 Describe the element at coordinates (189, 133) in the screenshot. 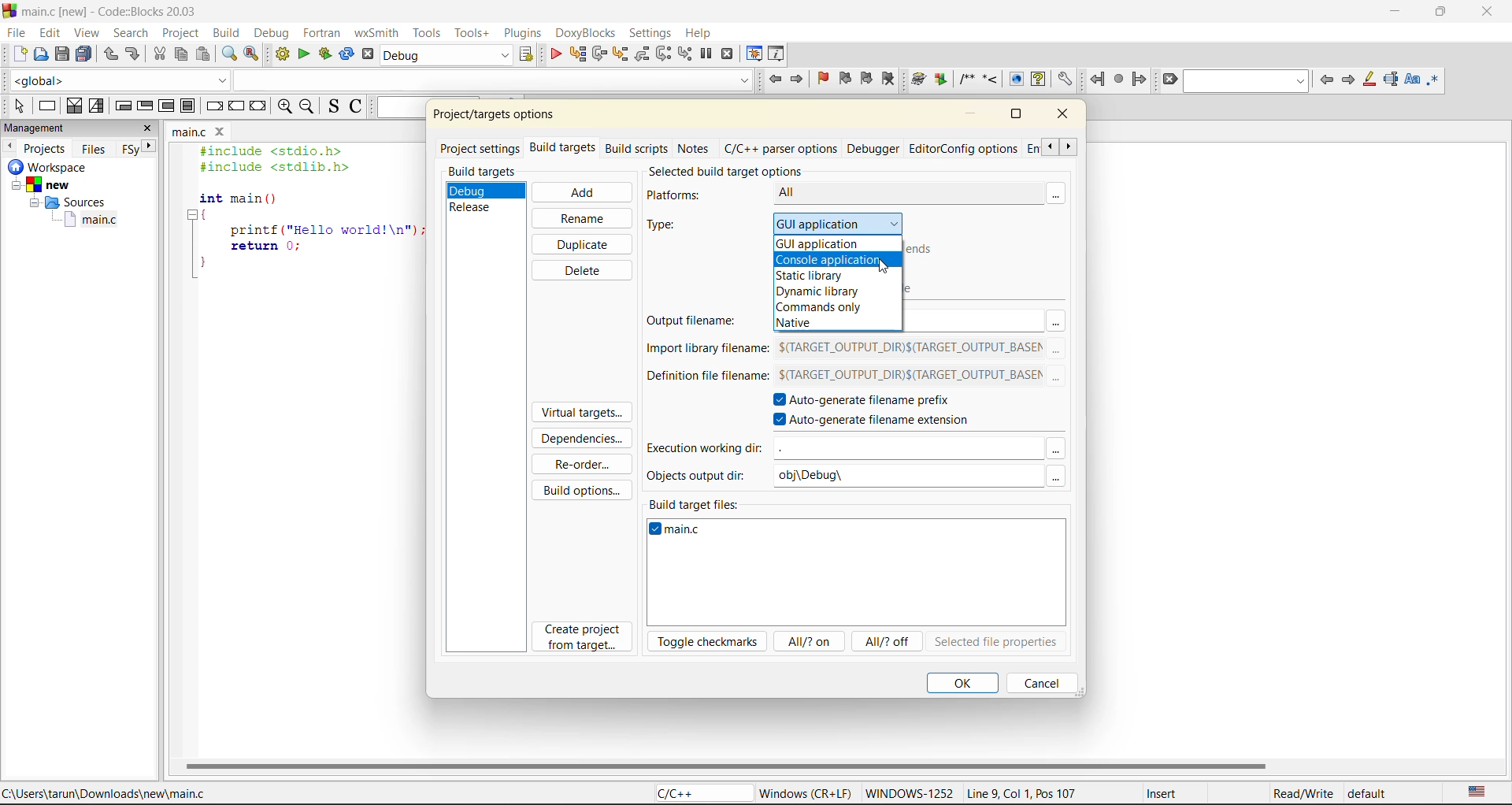

I see `main.c` at that location.